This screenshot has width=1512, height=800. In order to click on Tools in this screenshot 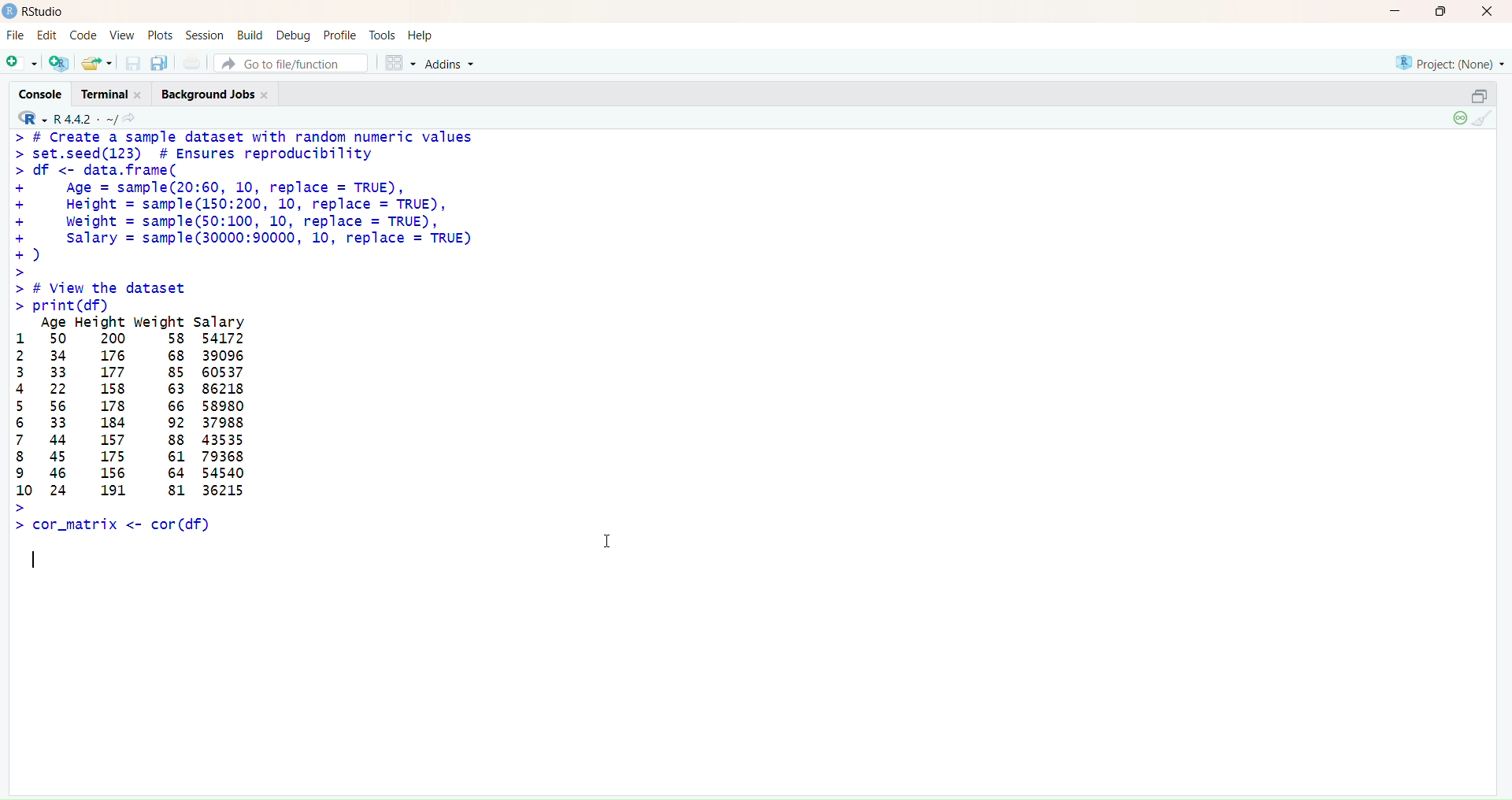, I will do `click(381, 34)`.